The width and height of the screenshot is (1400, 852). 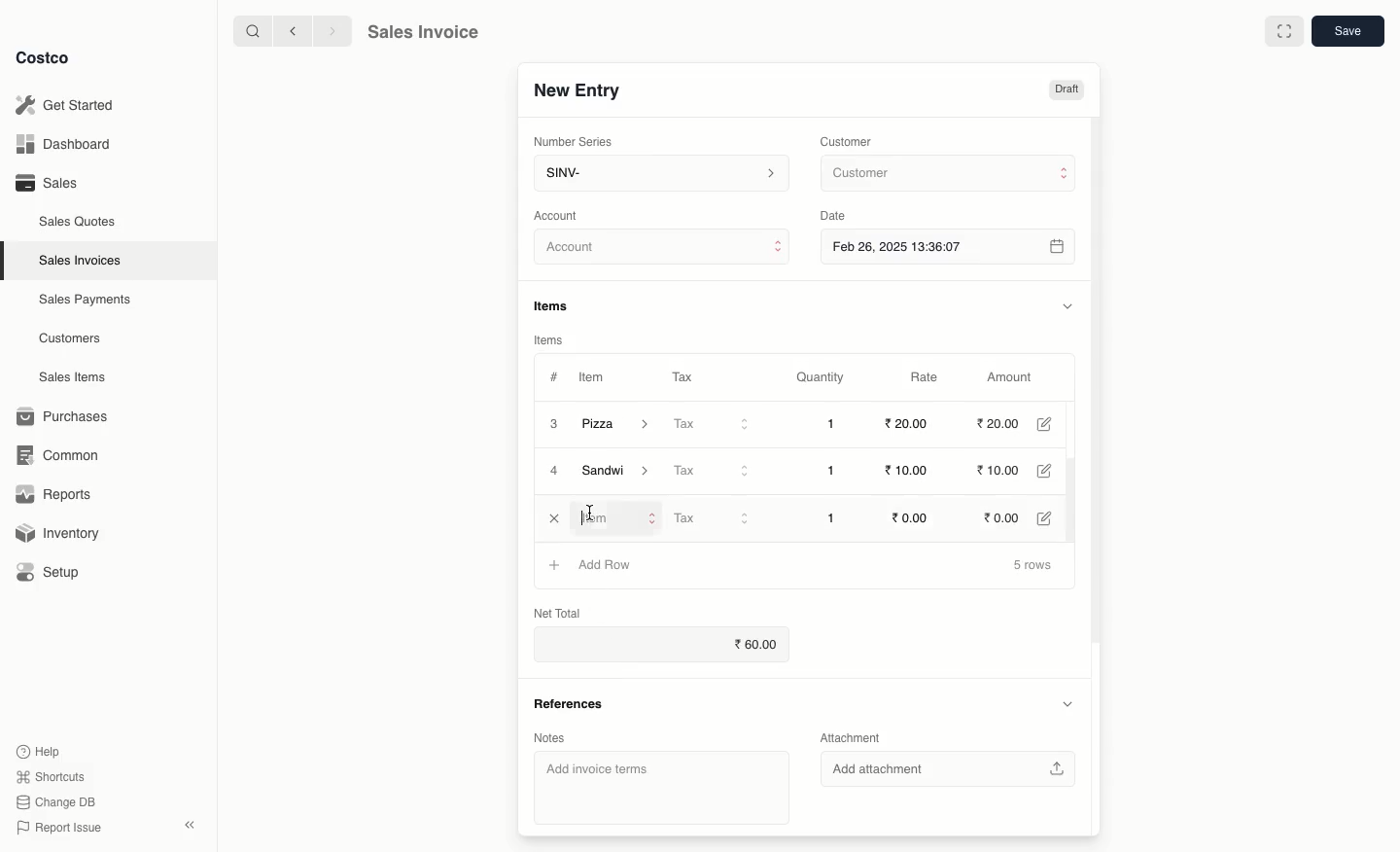 I want to click on ‘Account, so click(x=560, y=215).